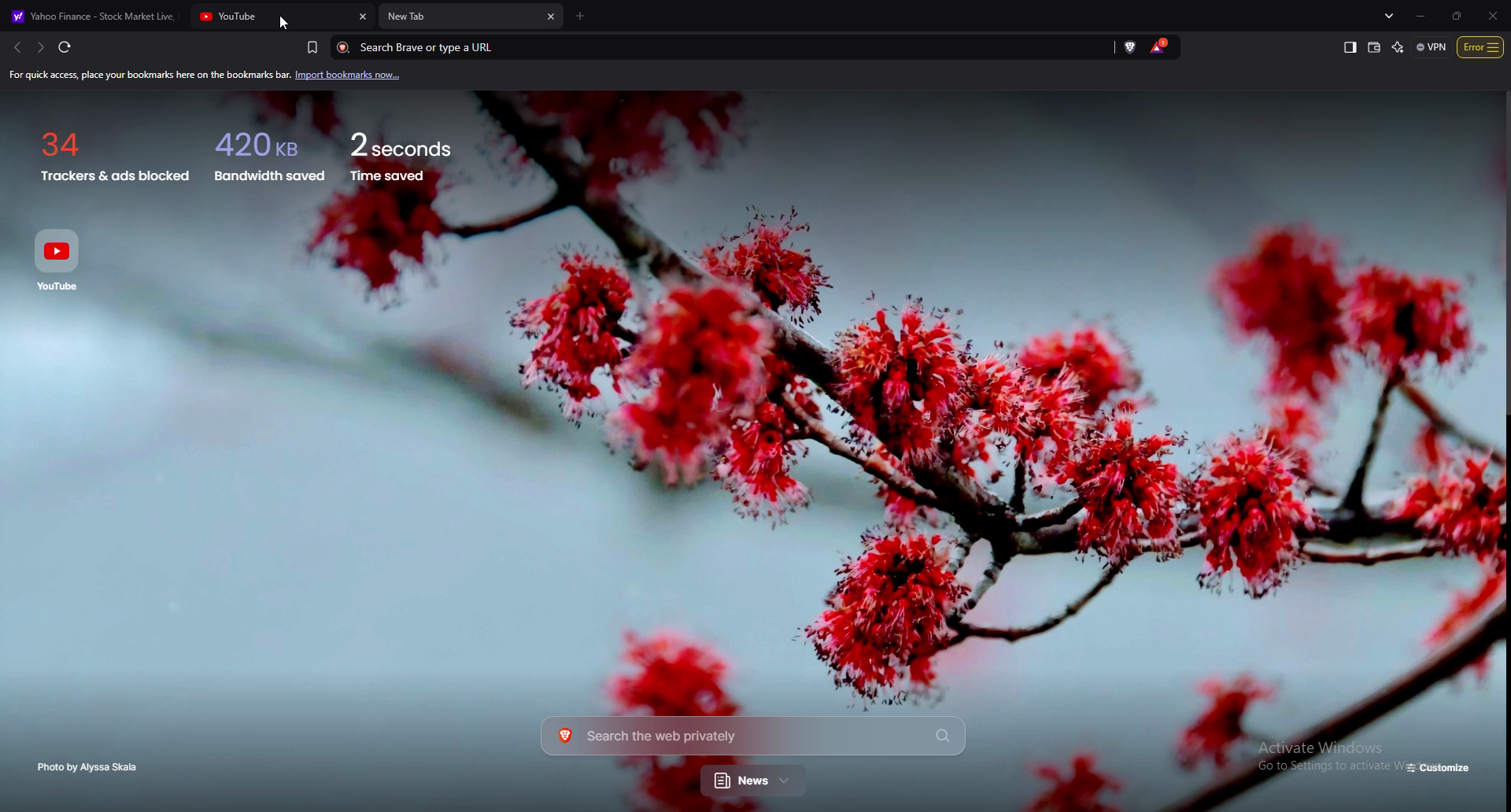  What do you see at coordinates (423, 151) in the screenshot?
I see `2 seconds Time saved` at bounding box center [423, 151].